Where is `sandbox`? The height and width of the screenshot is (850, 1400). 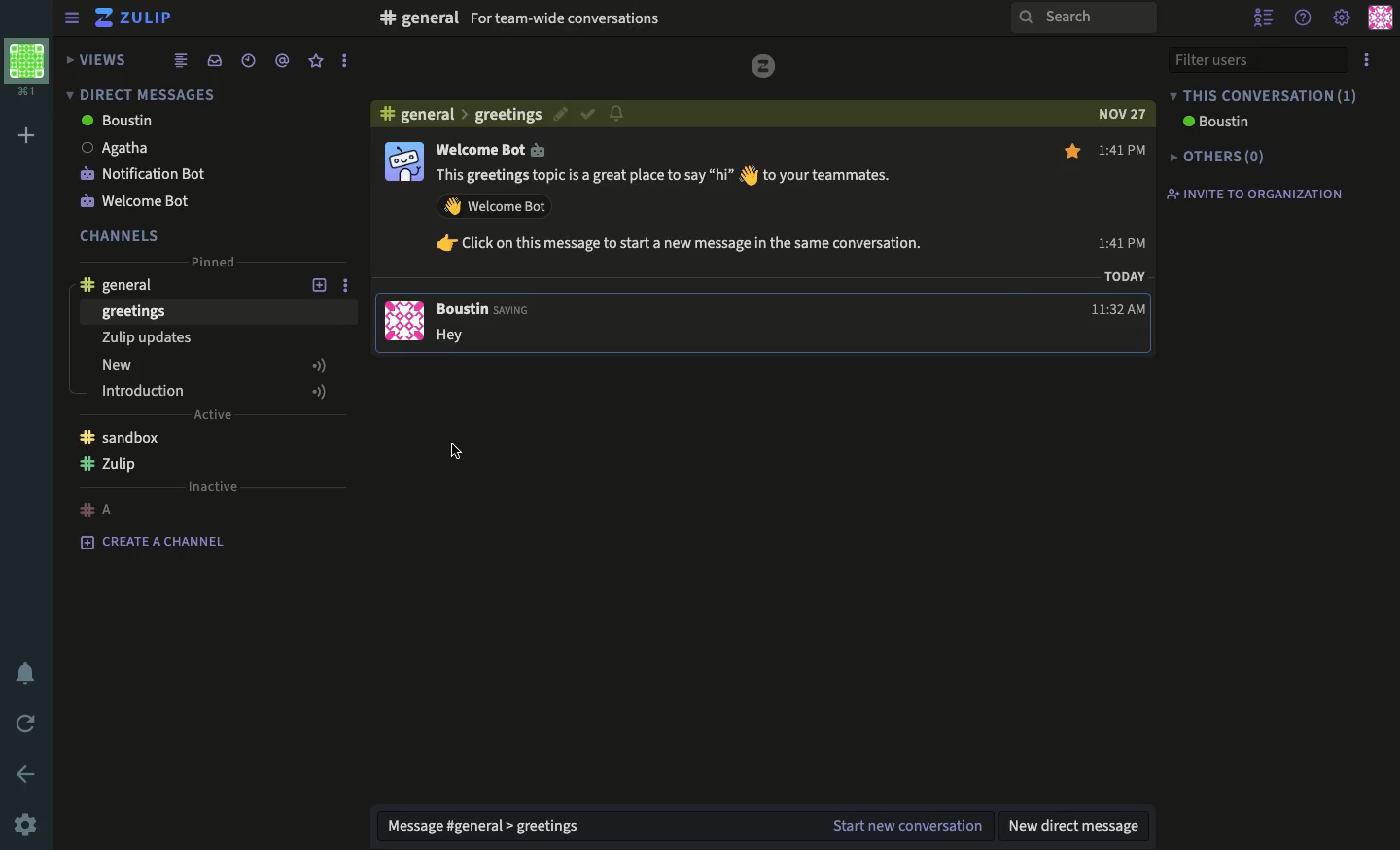 sandbox is located at coordinates (120, 437).